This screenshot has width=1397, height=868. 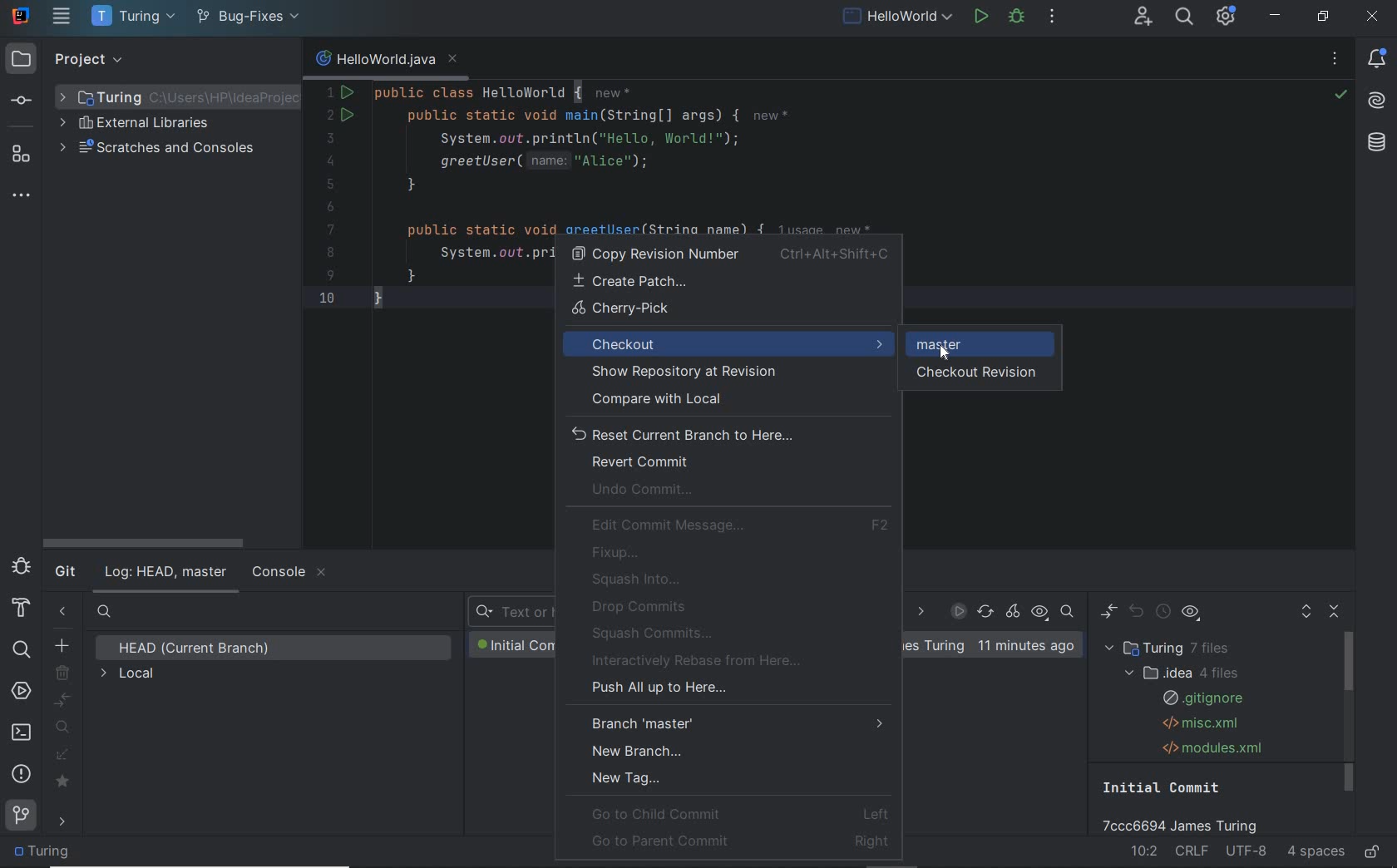 What do you see at coordinates (64, 757) in the screenshot?
I see `fetch all remotes` at bounding box center [64, 757].